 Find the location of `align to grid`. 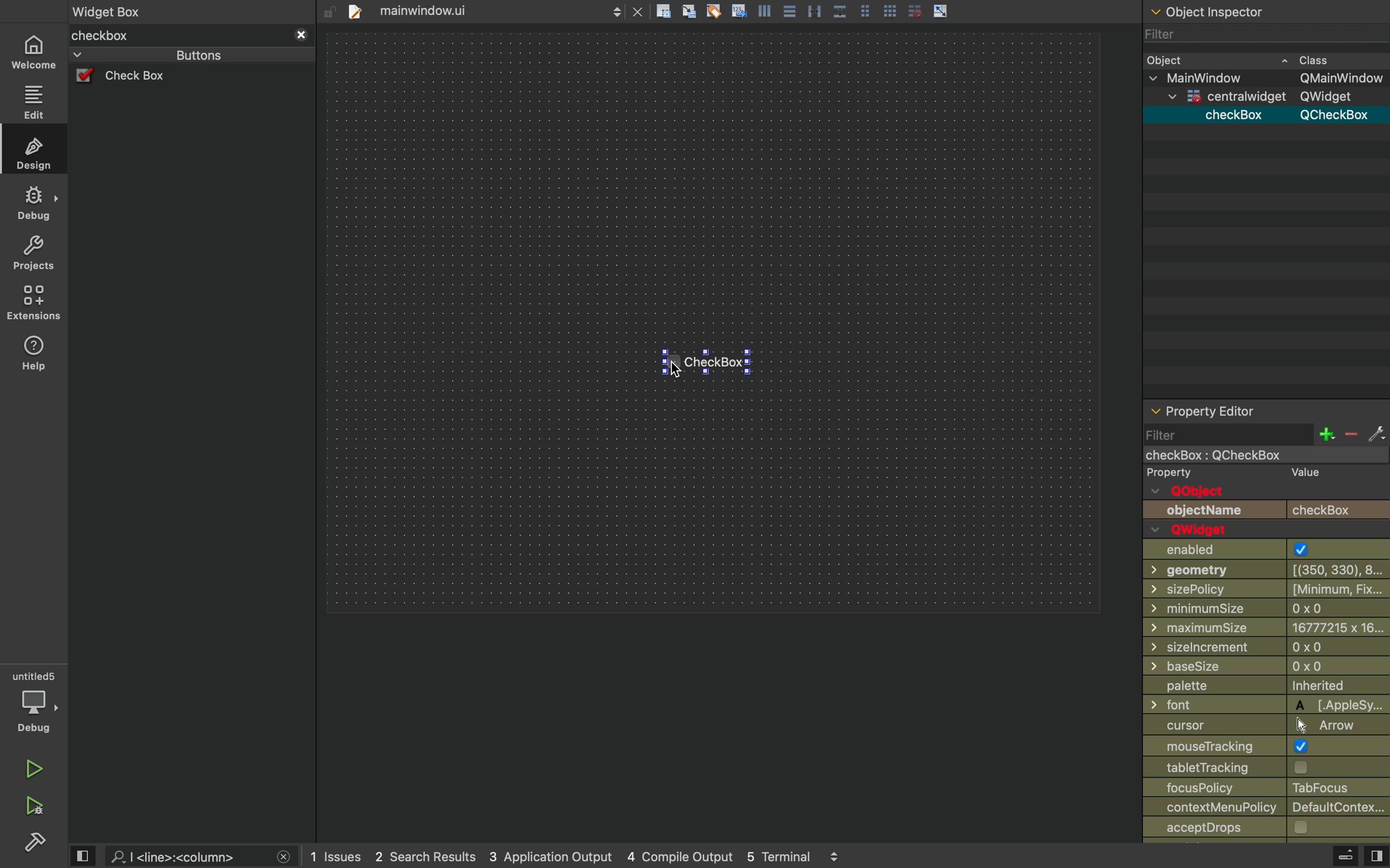

align to grid is located at coordinates (688, 10).